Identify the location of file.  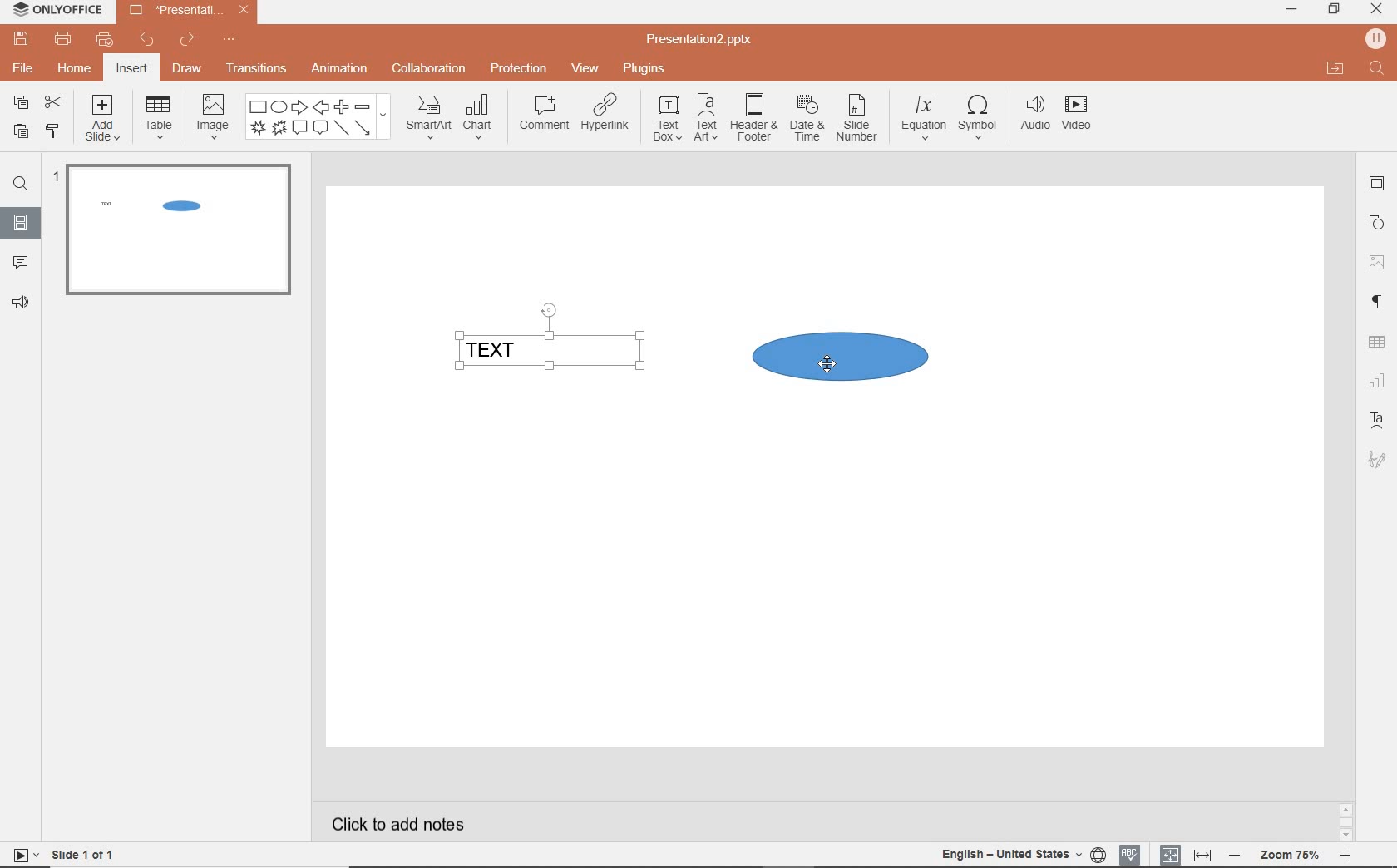
(24, 69).